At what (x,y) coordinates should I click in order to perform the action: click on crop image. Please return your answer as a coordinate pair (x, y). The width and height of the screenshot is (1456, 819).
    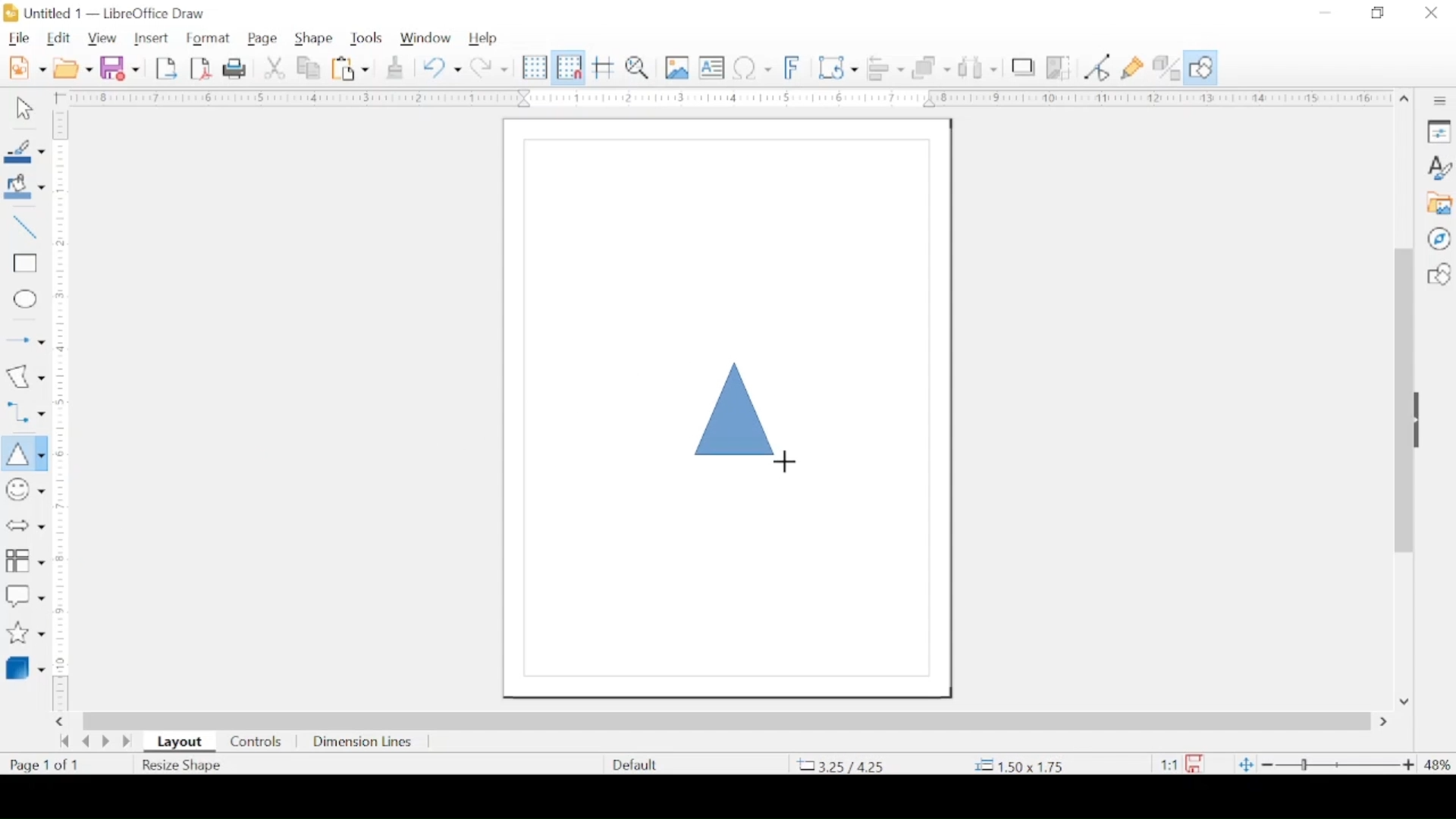
    Looking at the image, I should click on (1062, 68).